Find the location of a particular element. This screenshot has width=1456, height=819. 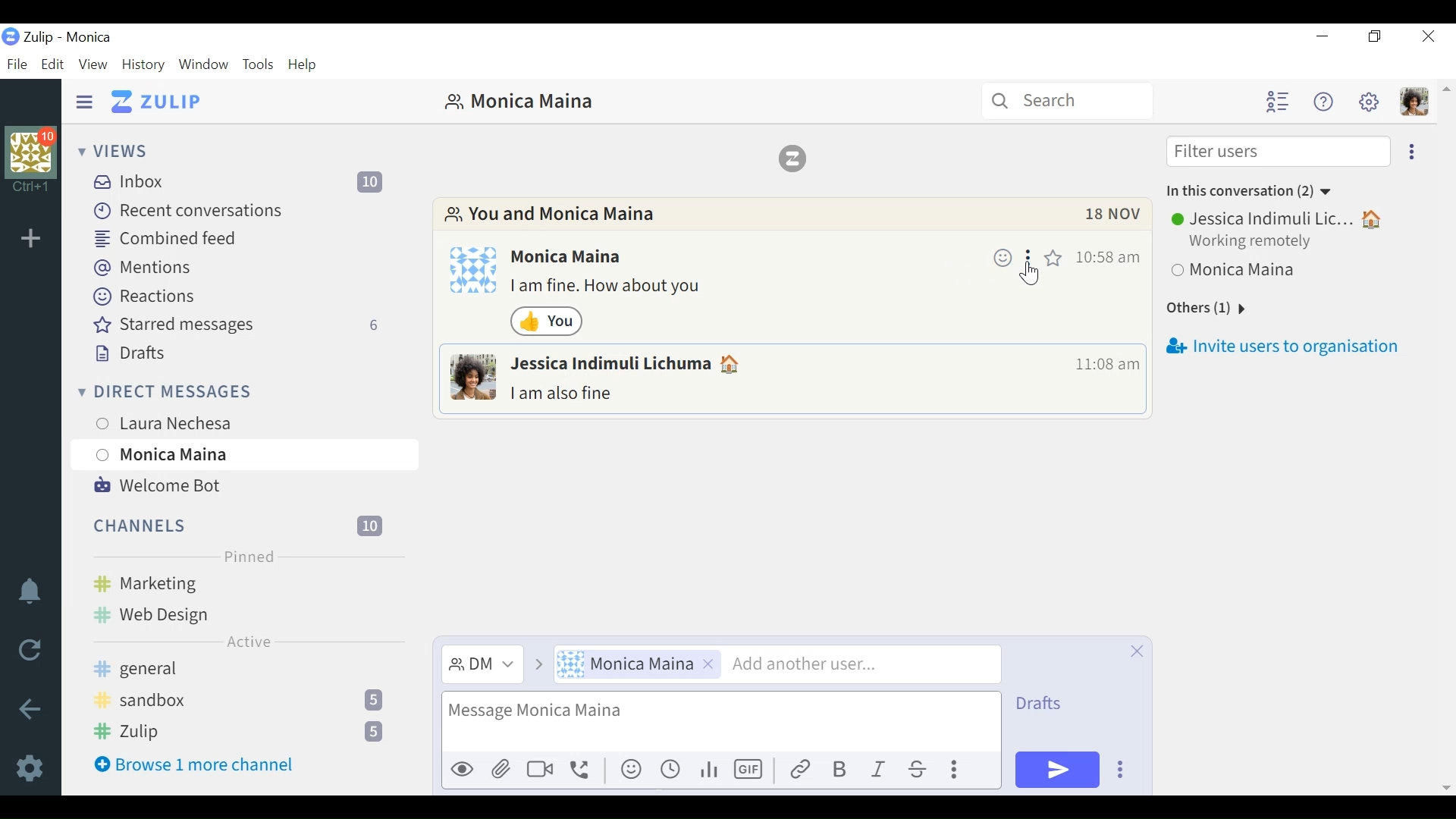

Zulip logo is located at coordinates (797, 158).